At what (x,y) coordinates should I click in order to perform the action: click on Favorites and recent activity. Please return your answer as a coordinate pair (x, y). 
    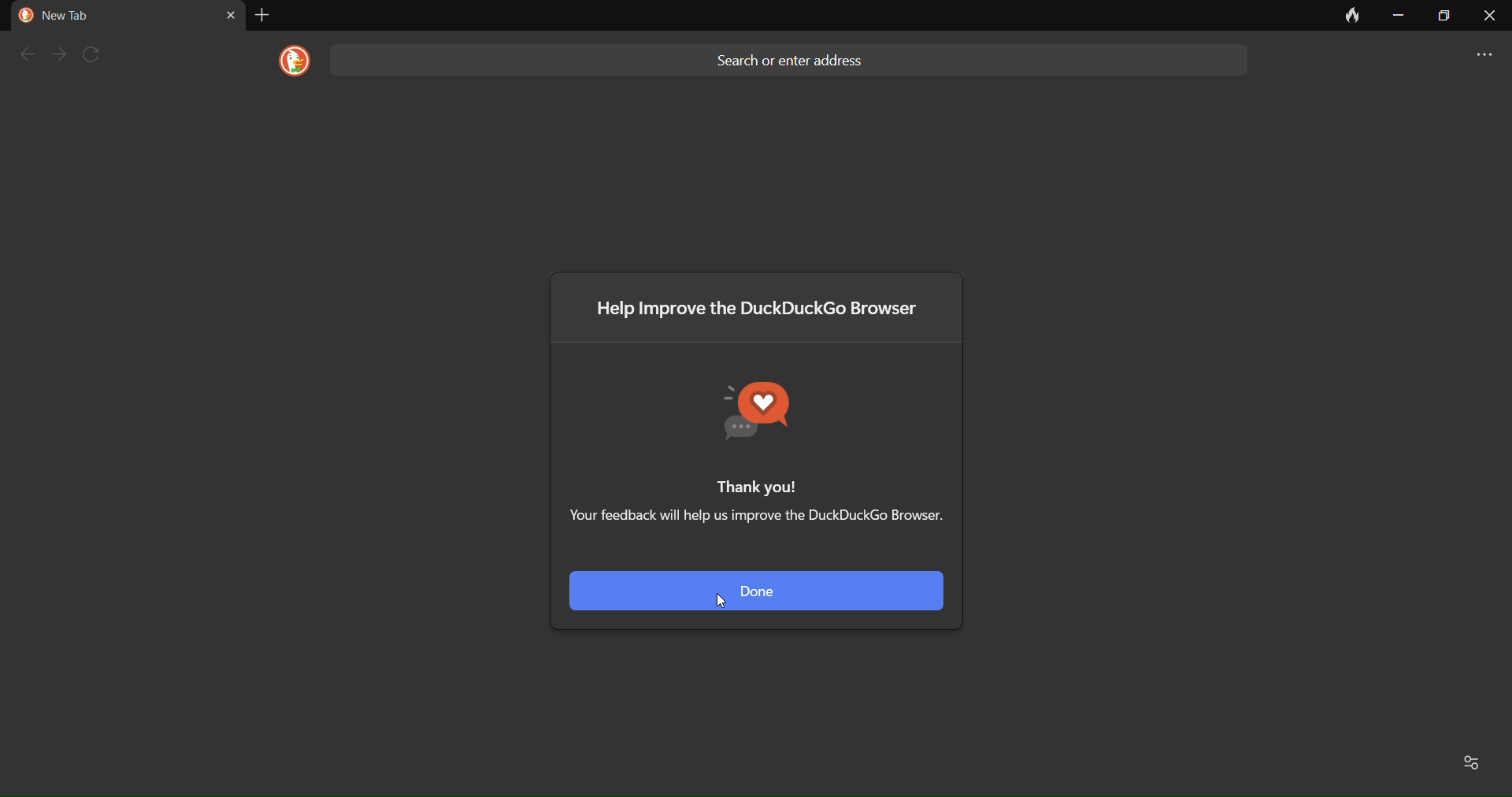
    Looking at the image, I should click on (1474, 761).